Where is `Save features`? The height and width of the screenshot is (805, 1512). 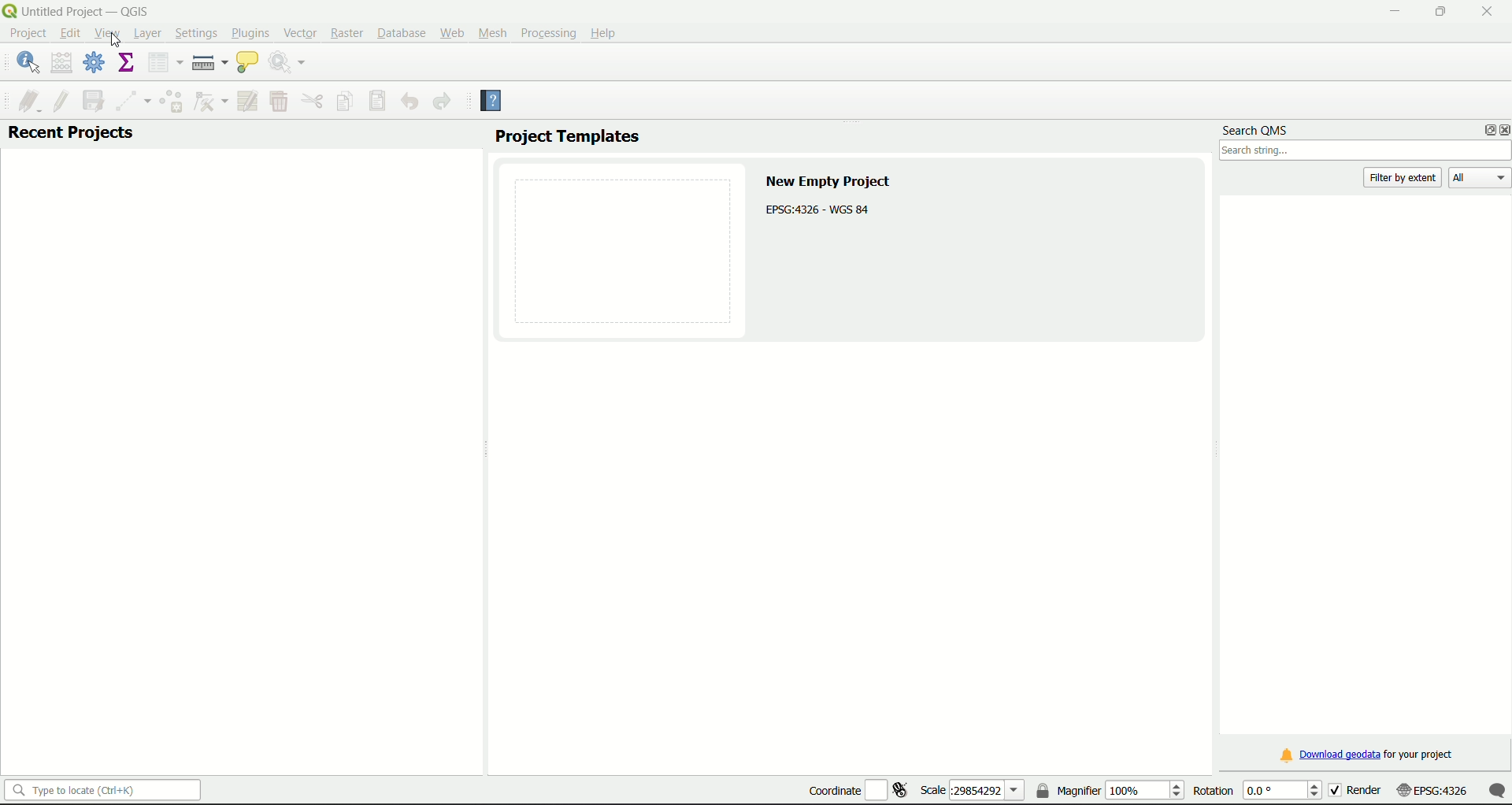
Save features is located at coordinates (379, 101).